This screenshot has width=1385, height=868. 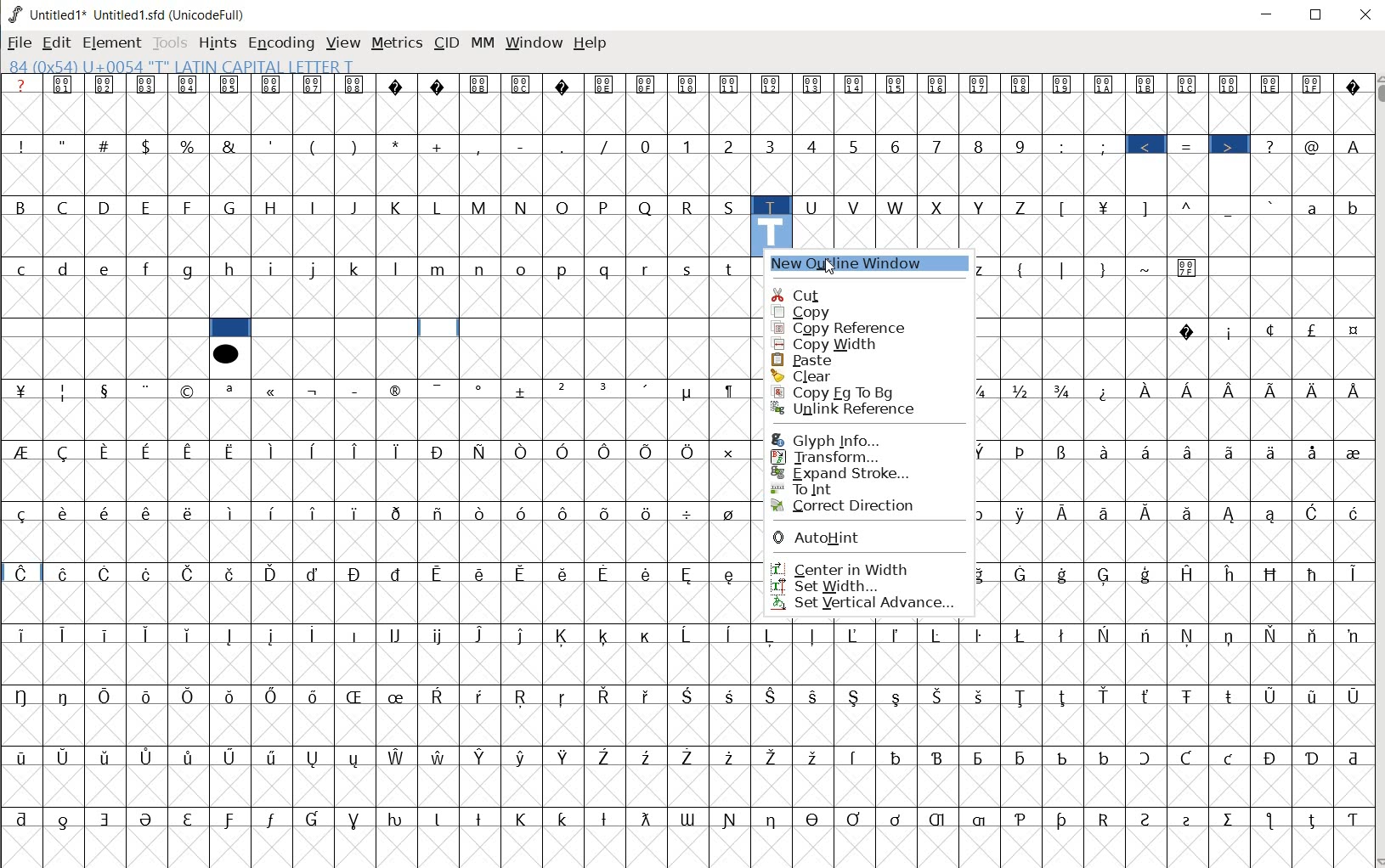 I want to click on 3, so click(x=773, y=147).